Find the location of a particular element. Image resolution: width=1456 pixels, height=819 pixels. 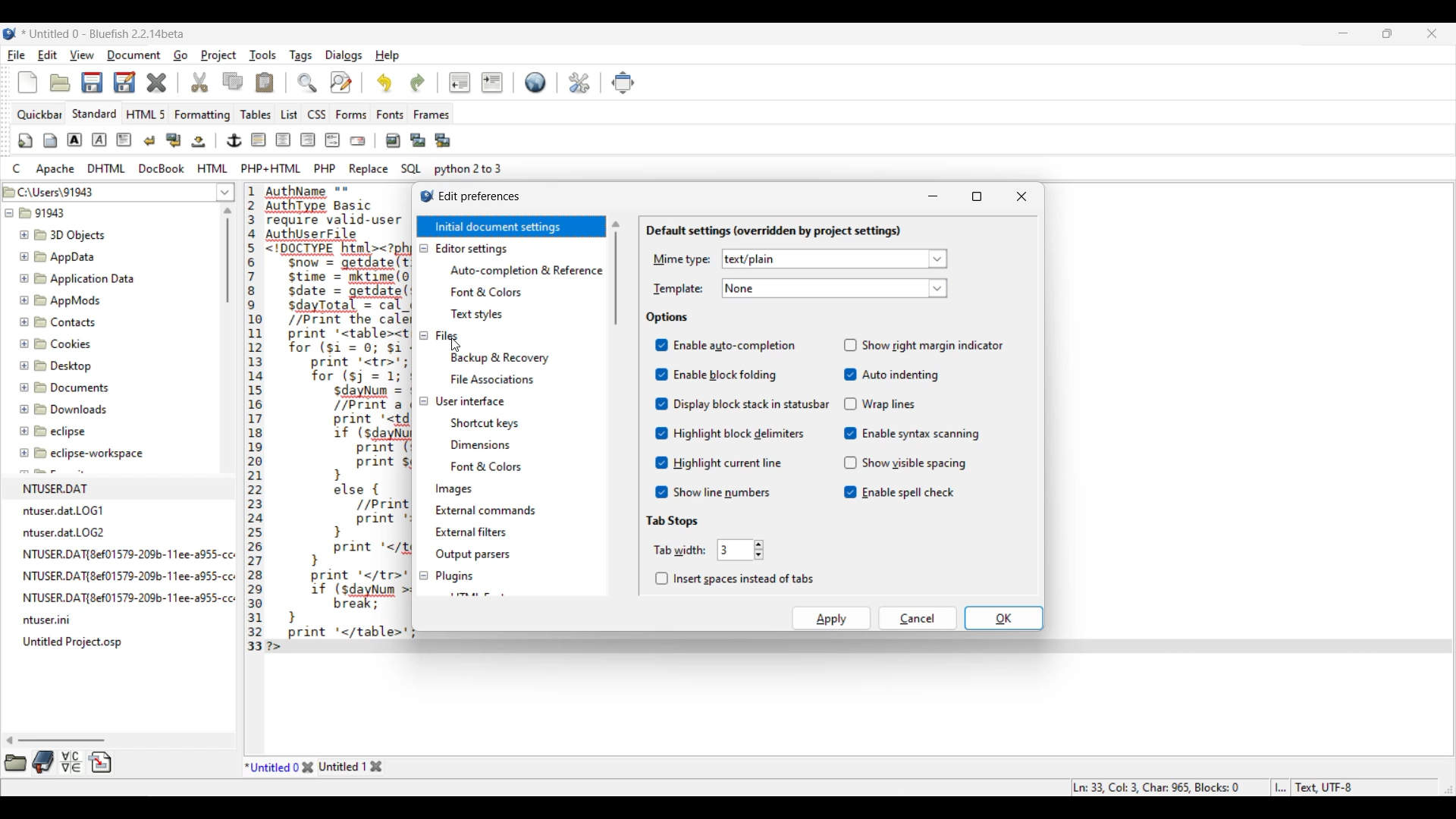

Document menu is located at coordinates (134, 55).